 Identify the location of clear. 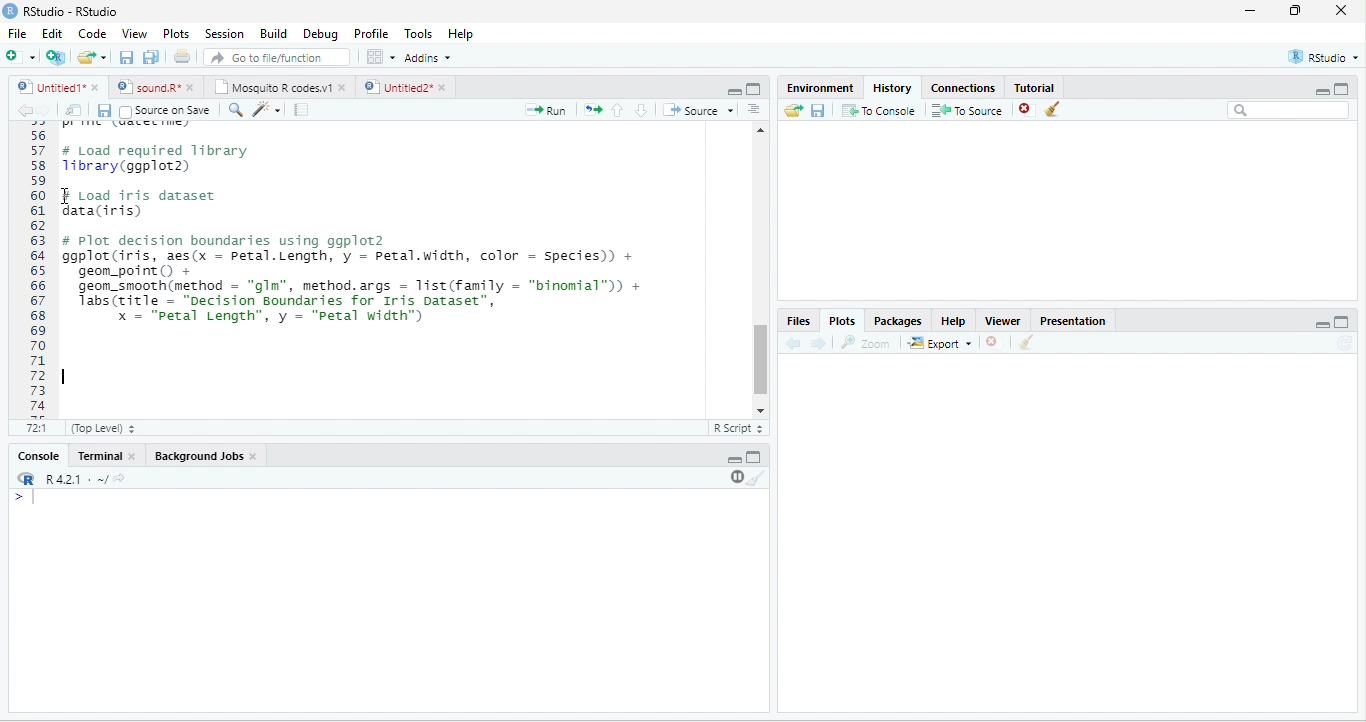
(1027, 342).